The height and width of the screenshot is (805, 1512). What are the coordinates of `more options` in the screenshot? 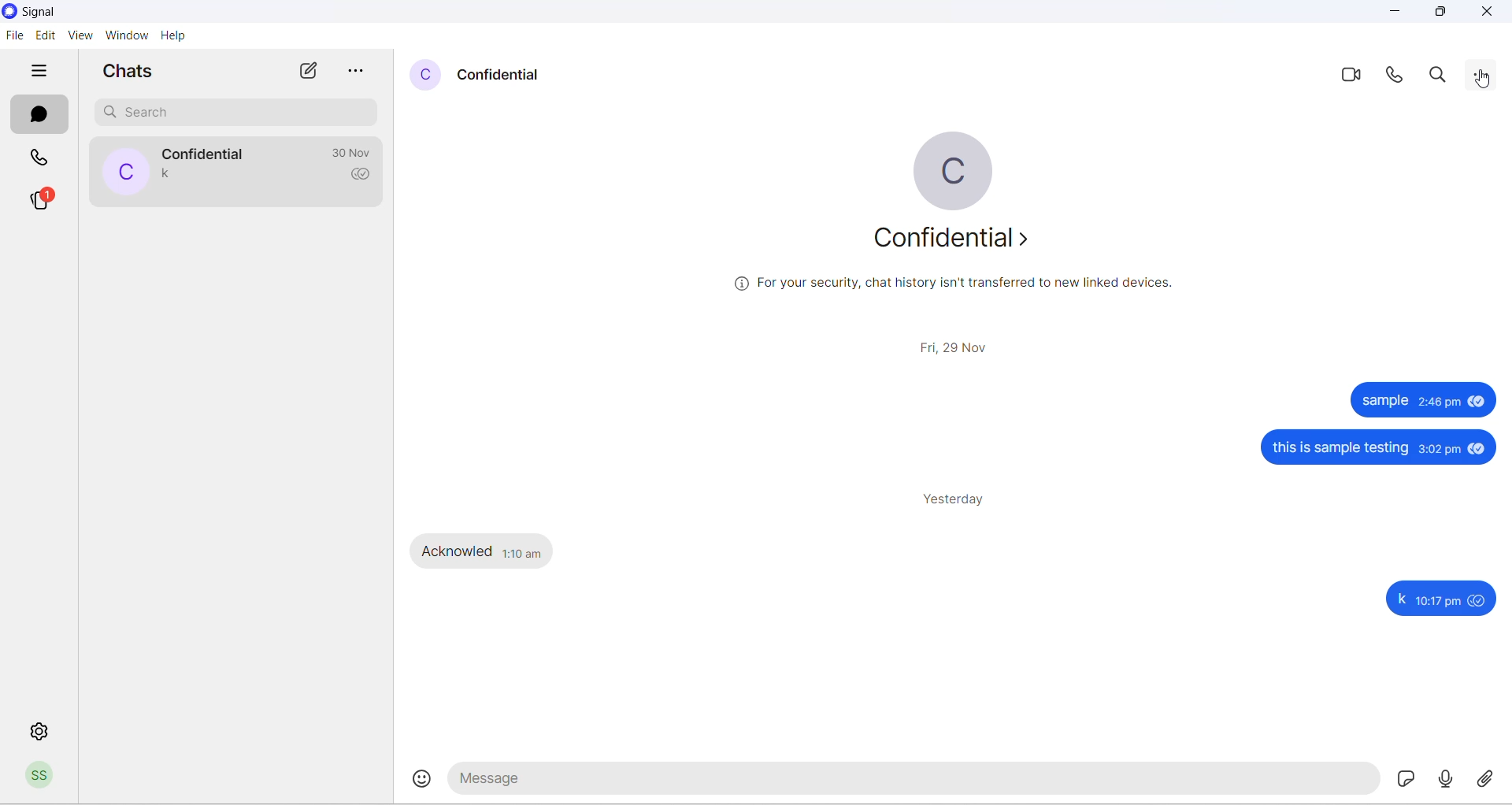 It's located at (1481, 75).